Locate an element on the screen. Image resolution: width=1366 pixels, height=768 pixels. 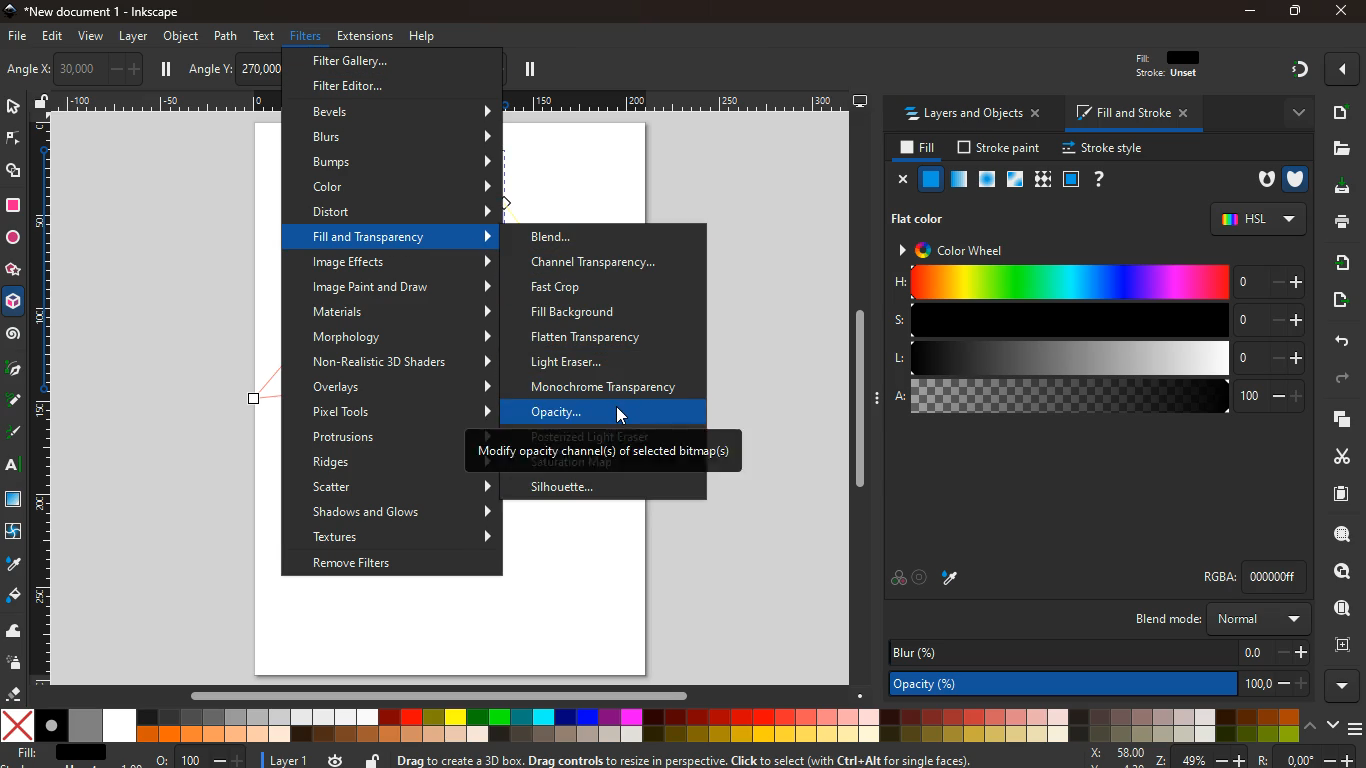
close is located at coordinates (903, 180).